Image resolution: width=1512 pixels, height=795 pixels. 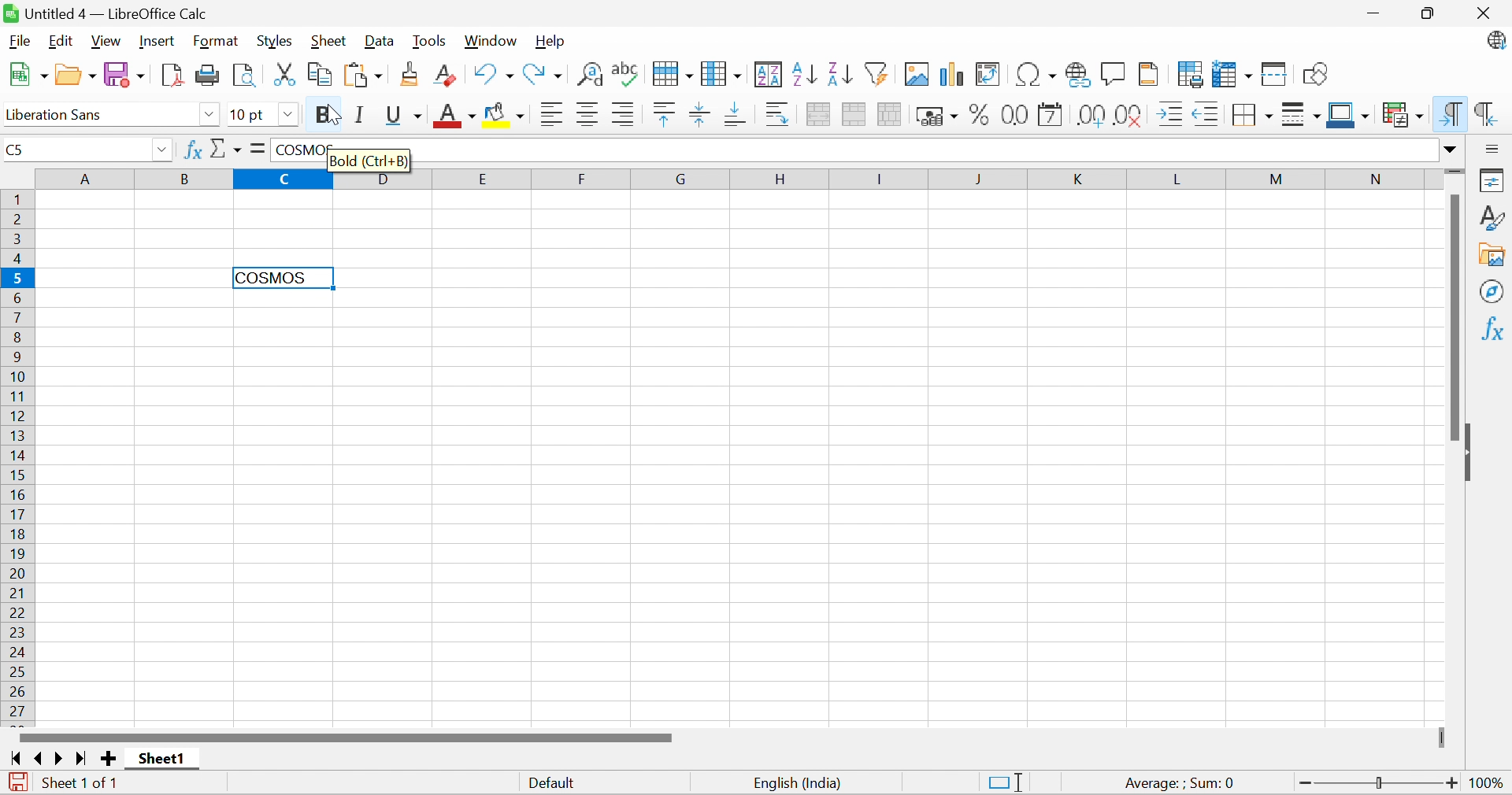 What do you see at coordinates (107, 41) in the screenshot?
I see `View` at bounding box center [107, 41].